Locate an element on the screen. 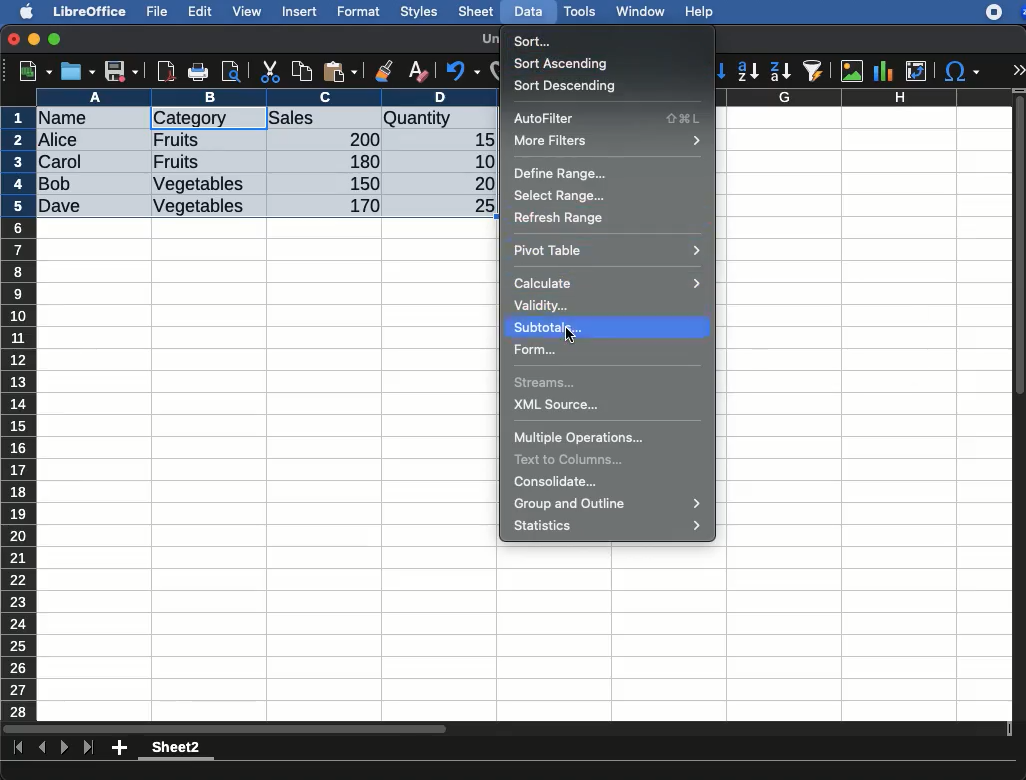  column is located at coordinates (267, 97).